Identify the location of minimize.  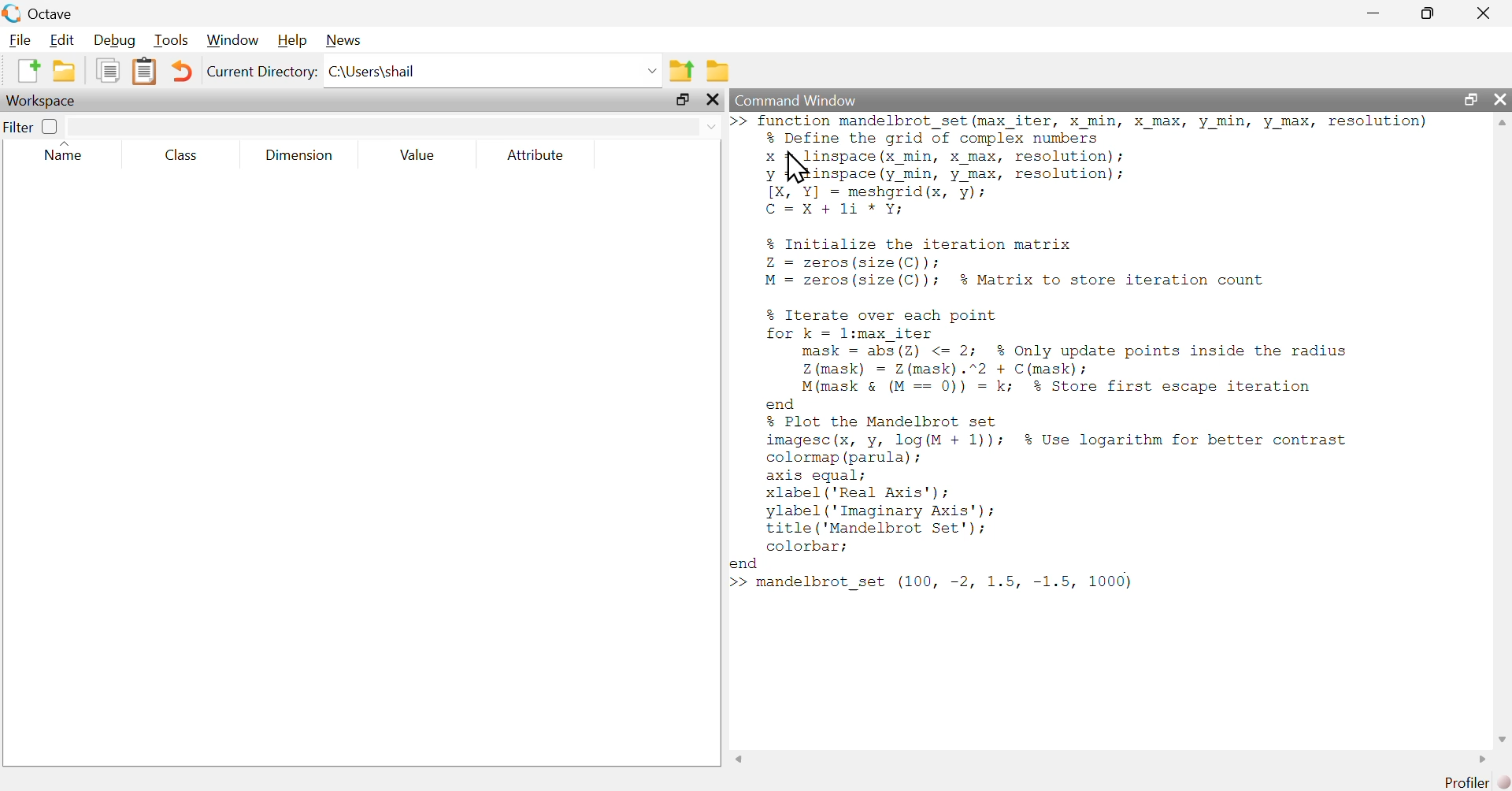
(1372, 11).